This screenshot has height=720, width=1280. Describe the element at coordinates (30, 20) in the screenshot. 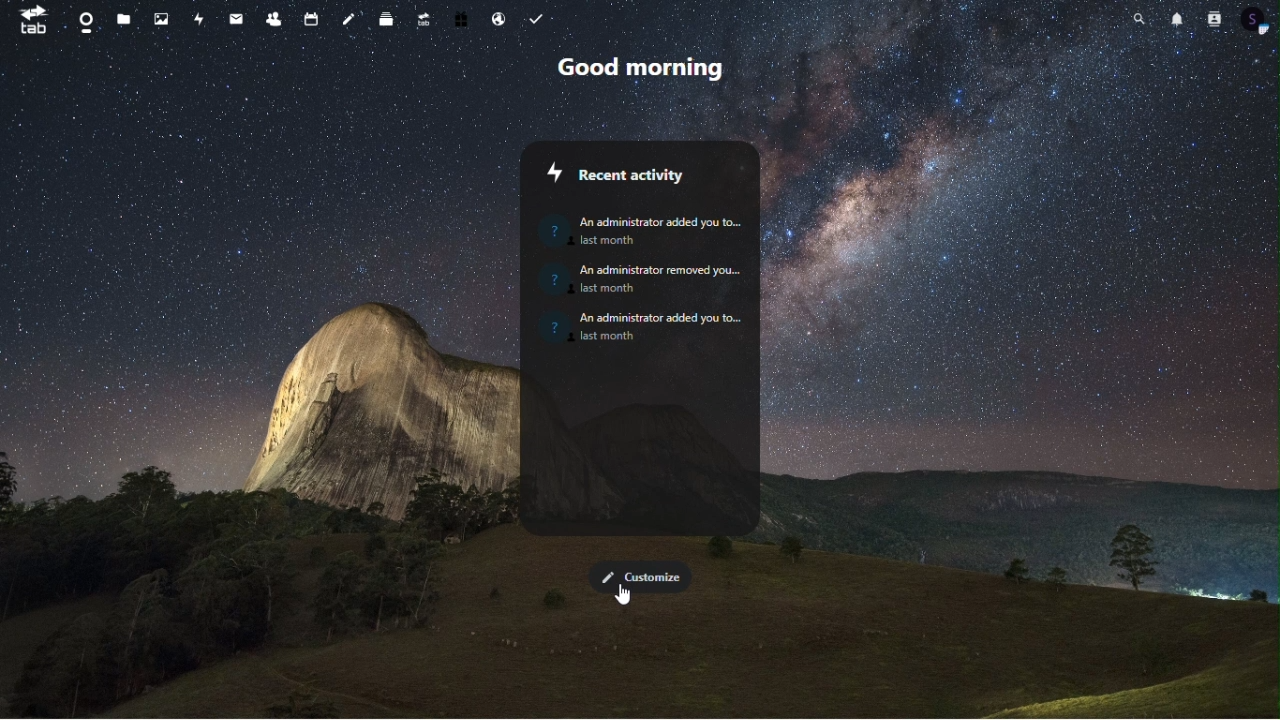

I see `tab` at that location.